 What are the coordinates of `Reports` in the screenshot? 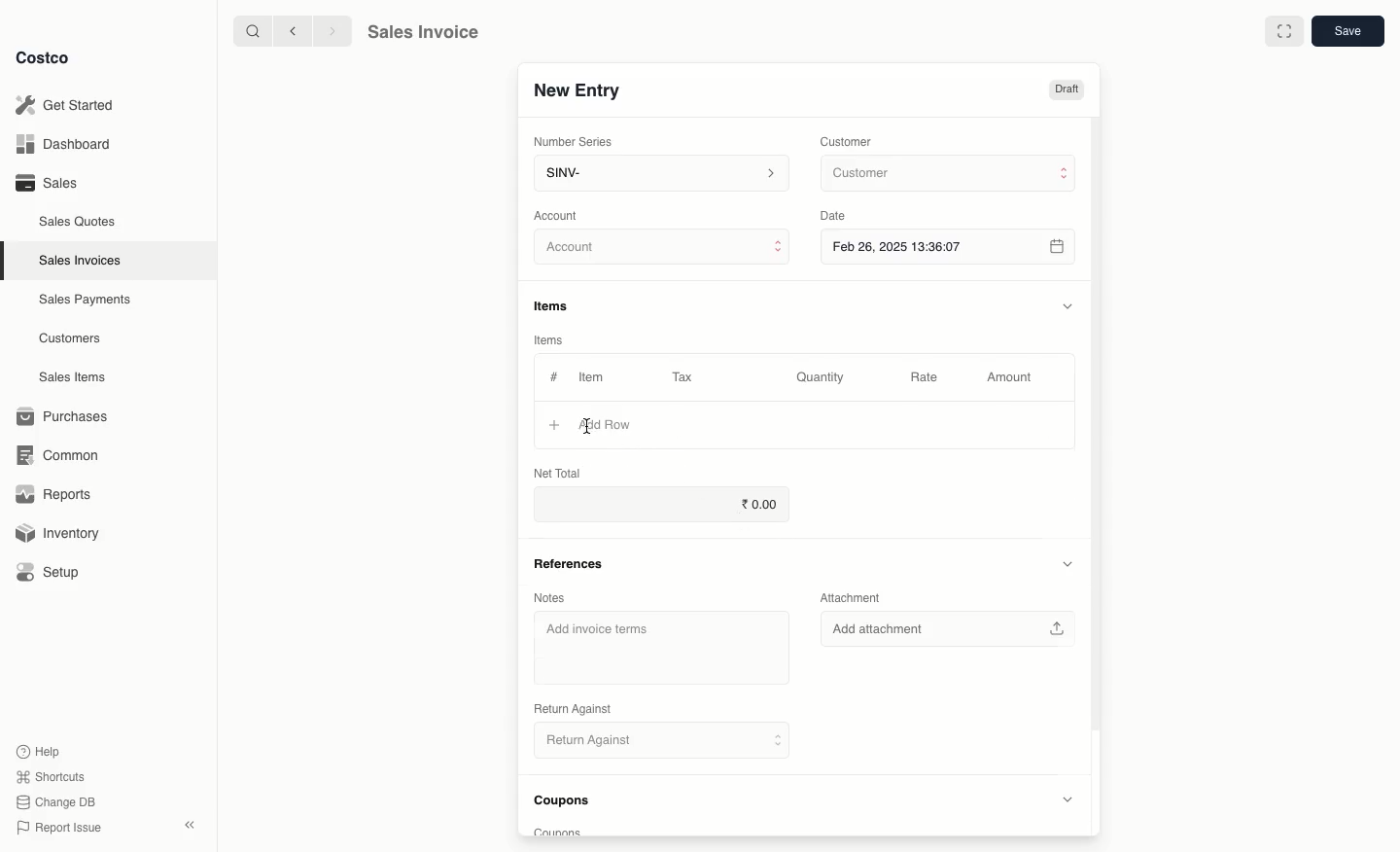 It's located at (54, 496).